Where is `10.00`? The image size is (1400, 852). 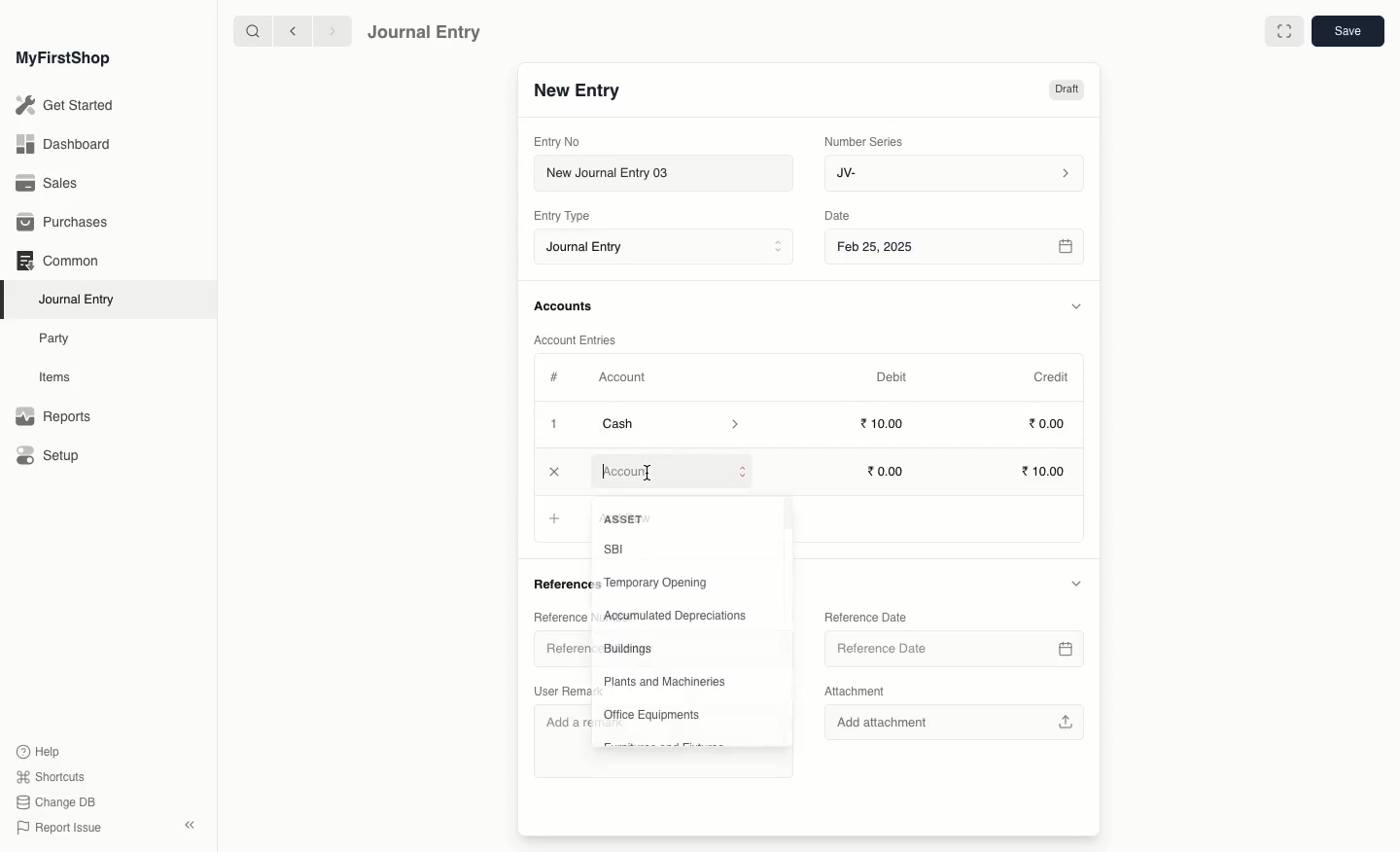
10.00 is located at coordinates (888, 424).